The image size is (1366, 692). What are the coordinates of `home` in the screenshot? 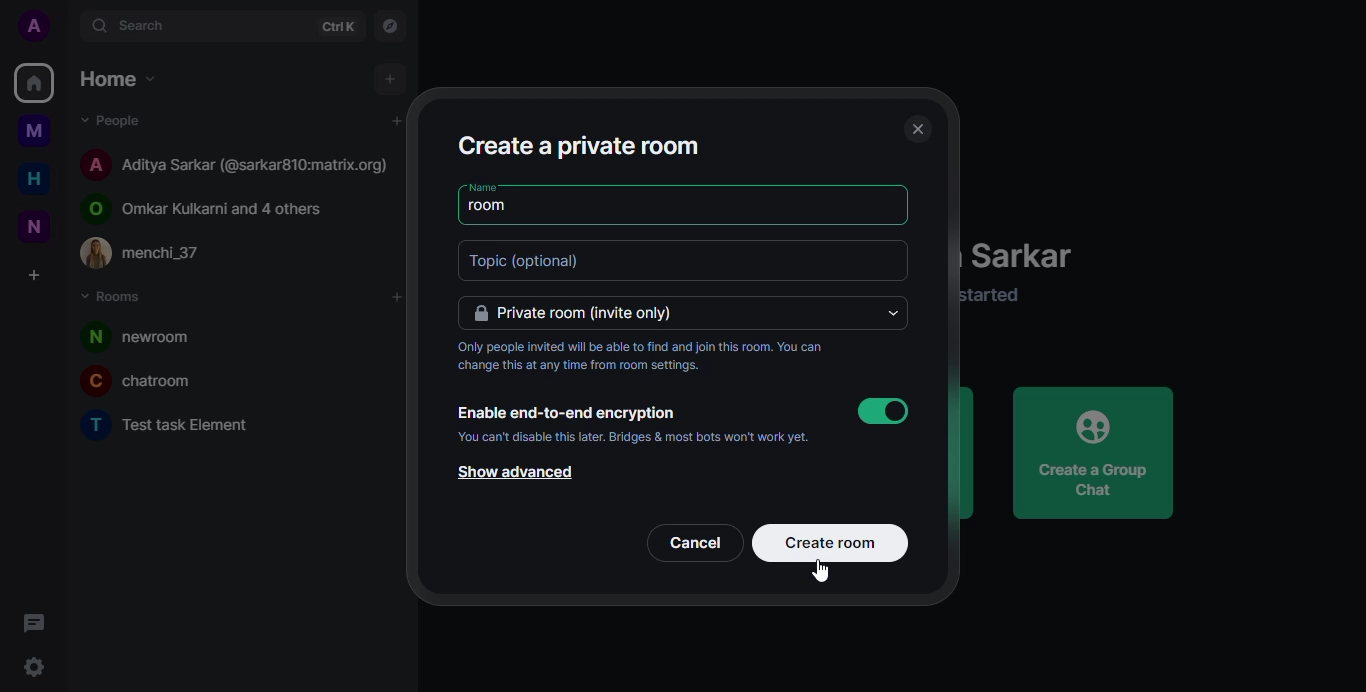 It's located at (37, 178).